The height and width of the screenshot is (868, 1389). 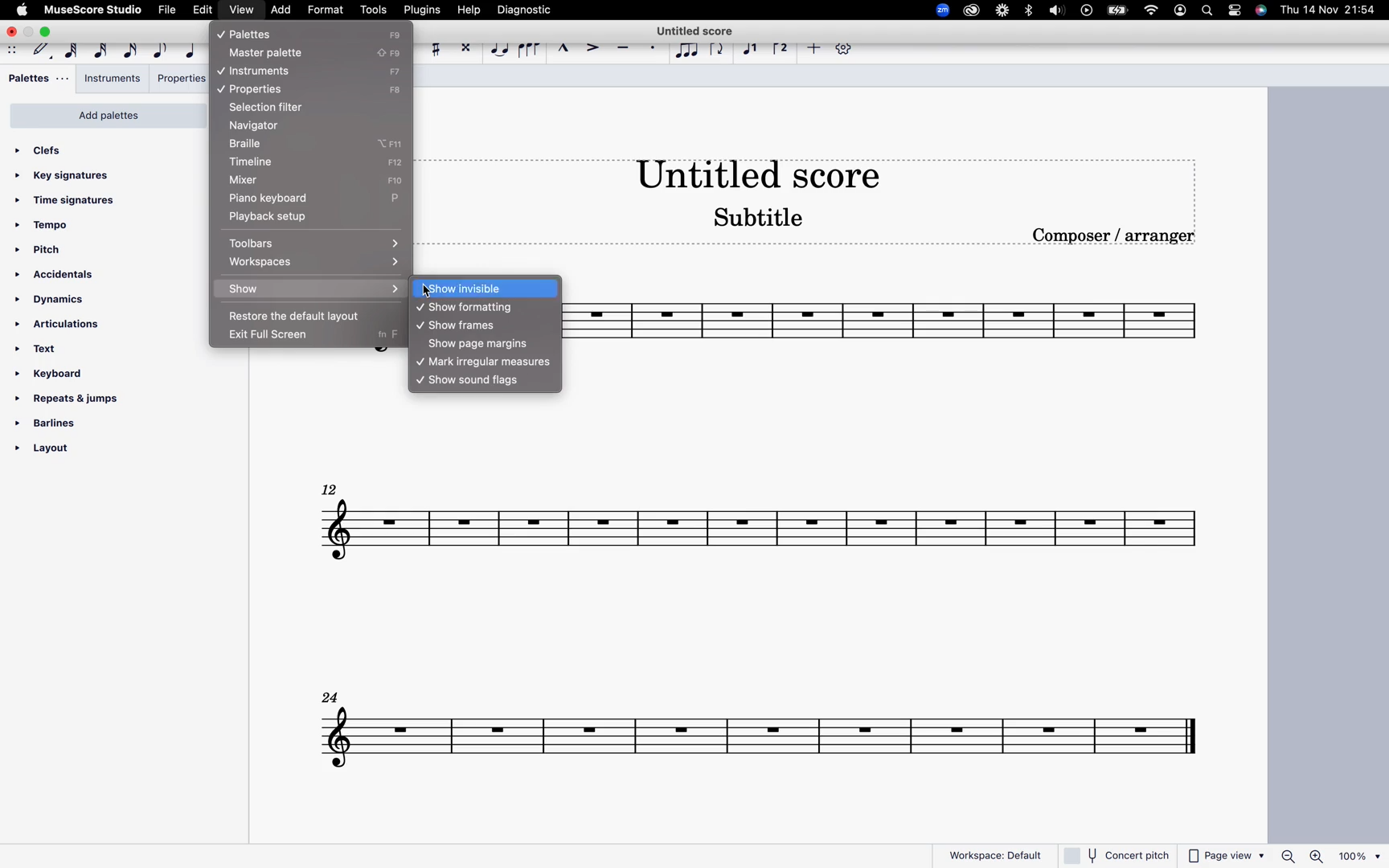 I want to click on add palettes, so click(x=109, y=115).